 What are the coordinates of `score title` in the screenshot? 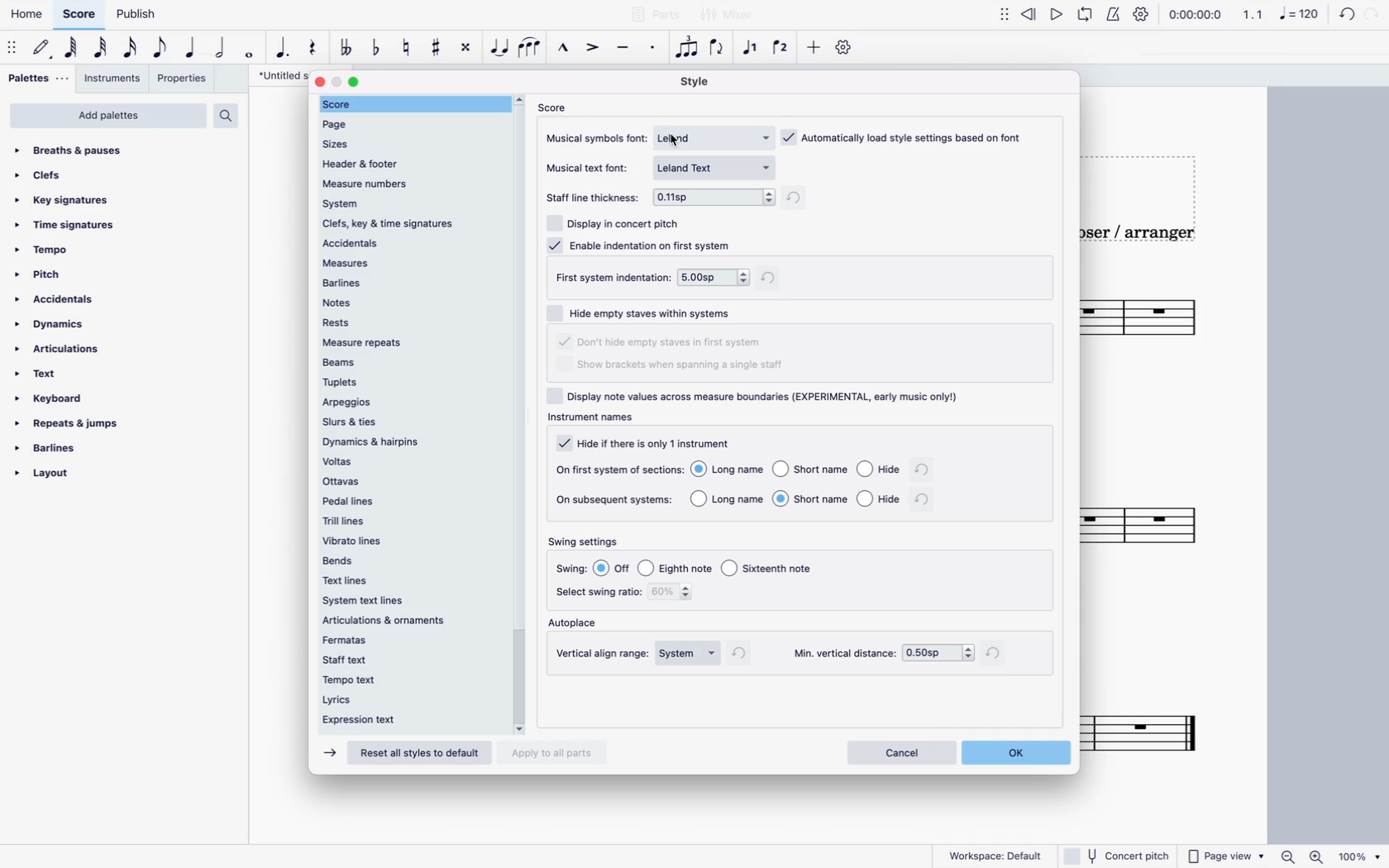 It's located at (274, 74).